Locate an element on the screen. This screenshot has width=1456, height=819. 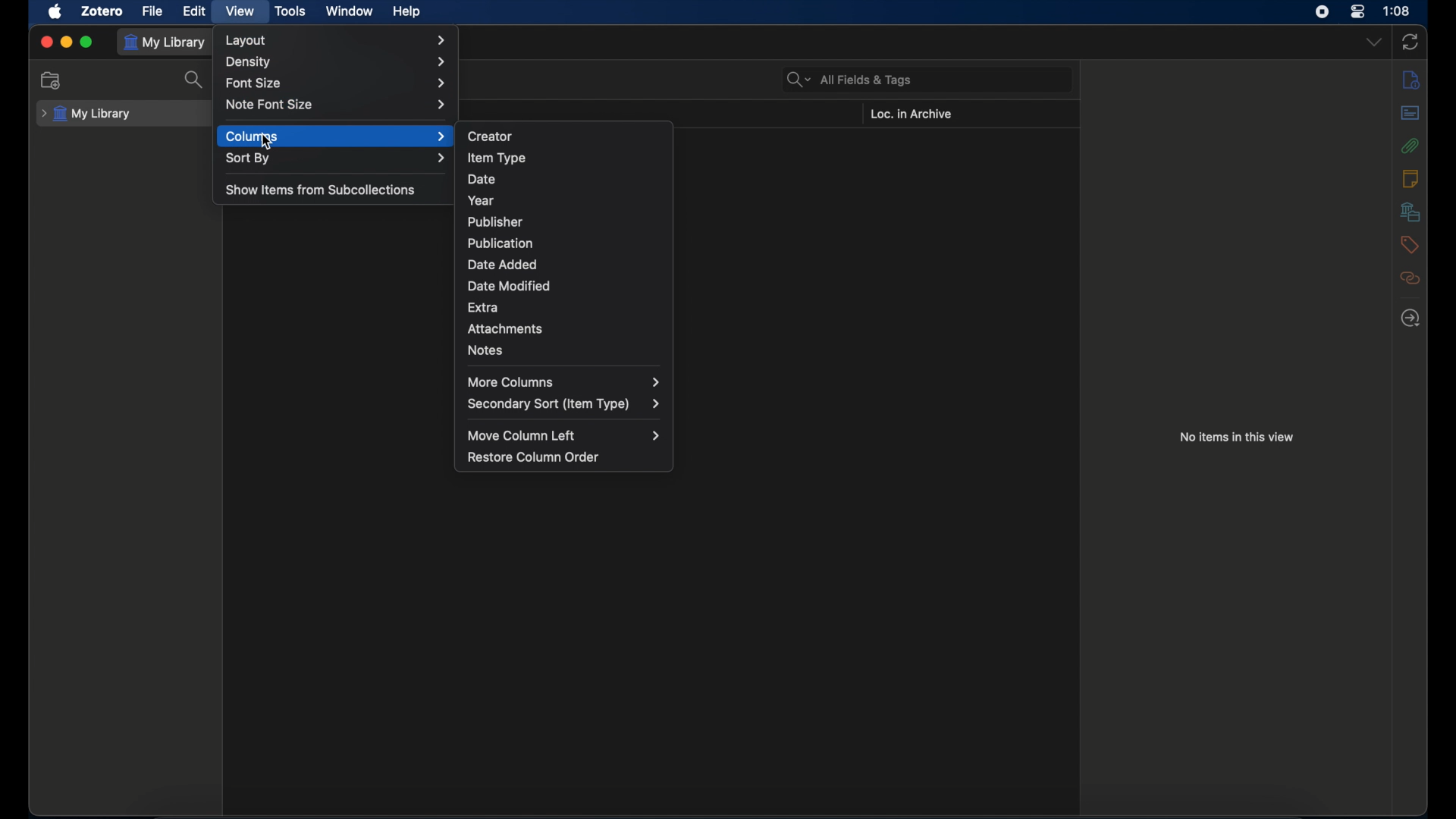
search bar is located at coordinates (849, 79).